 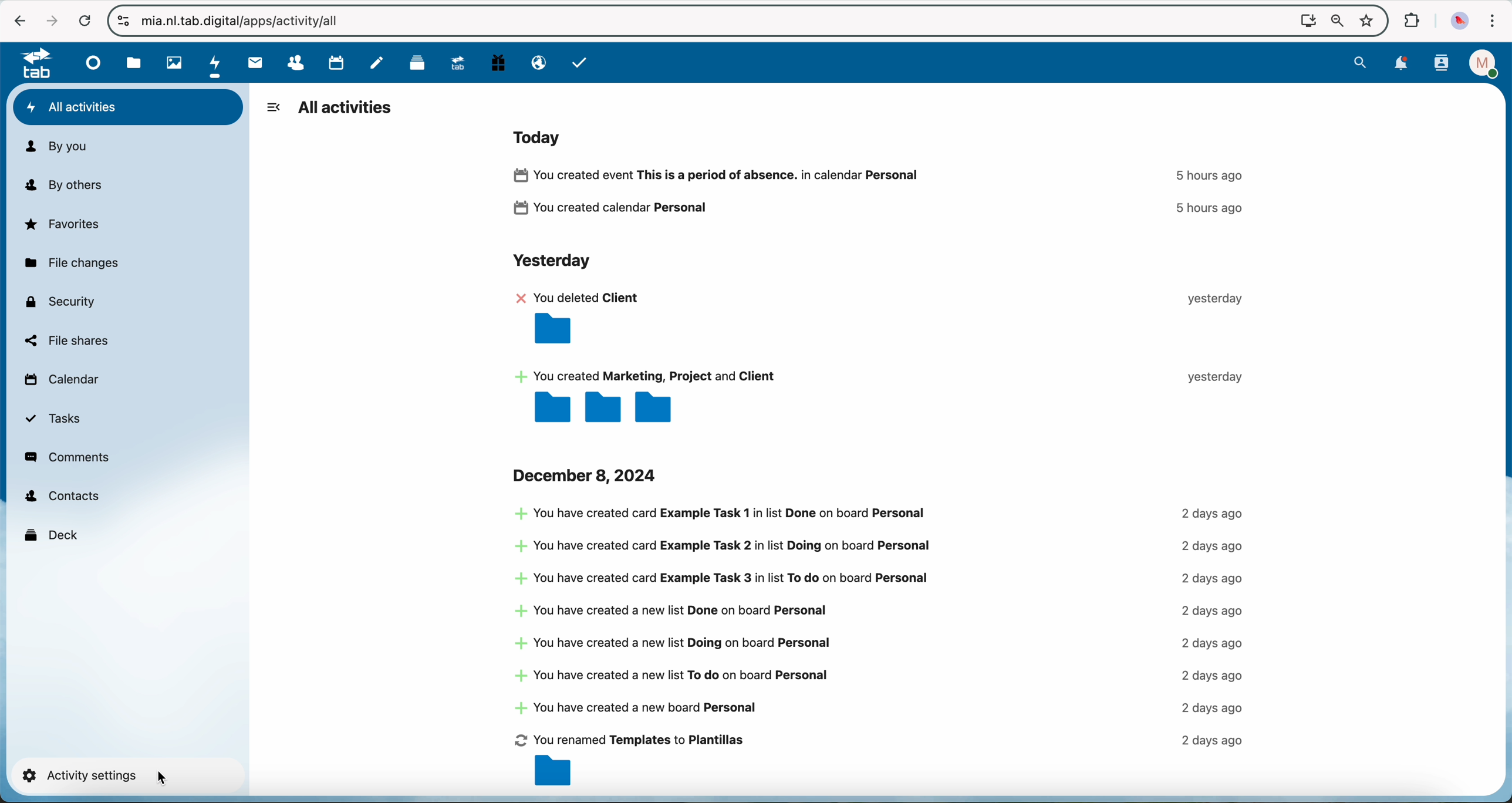 What do you see at coordinates (70, 264) in the screenshot?
I see `file changes` at bounding box center [70, 264].